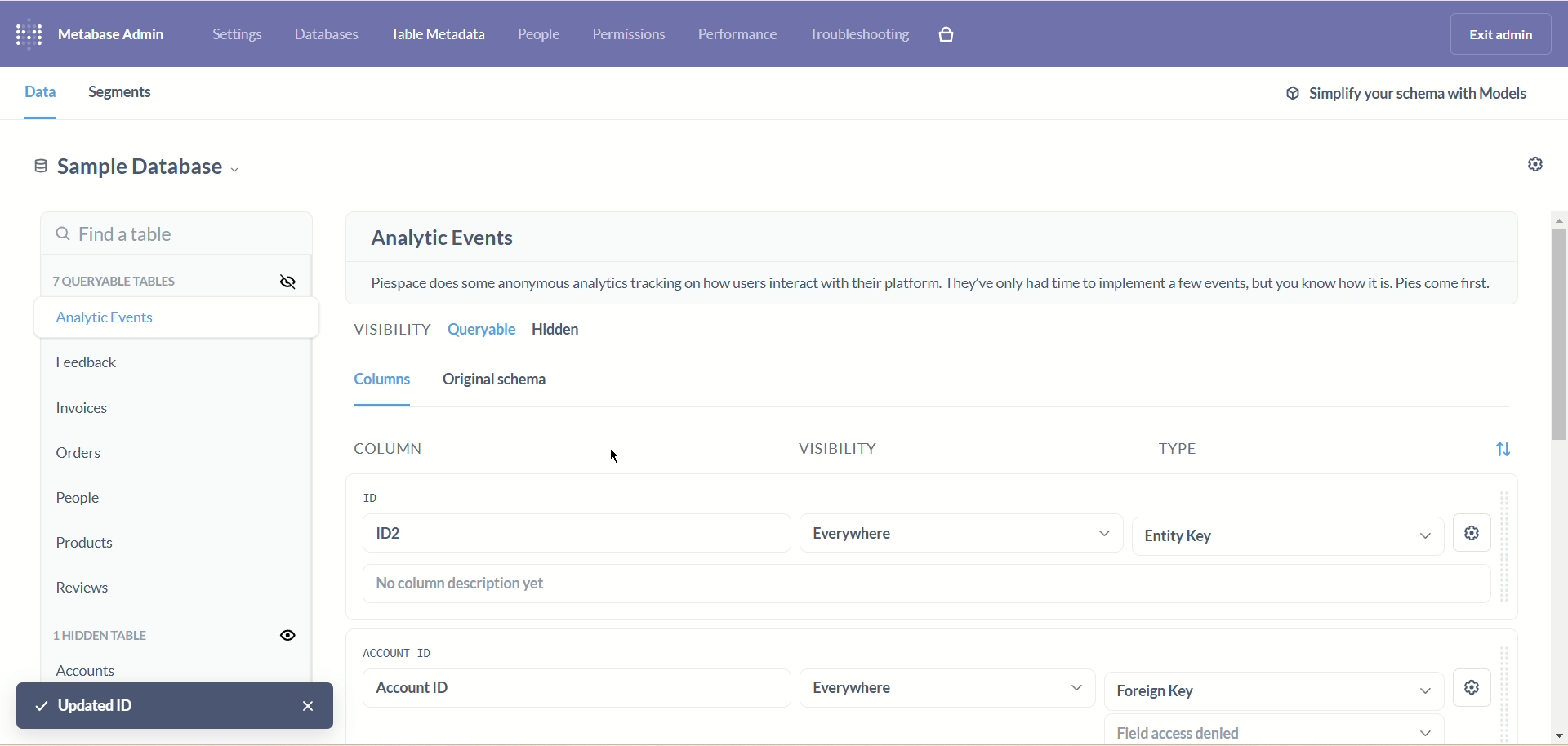 The width and height of the screenshot is (1568, 746). Describe the element at coordinates (440, 35) in the screenshot. I see `Table metadata` at that location.